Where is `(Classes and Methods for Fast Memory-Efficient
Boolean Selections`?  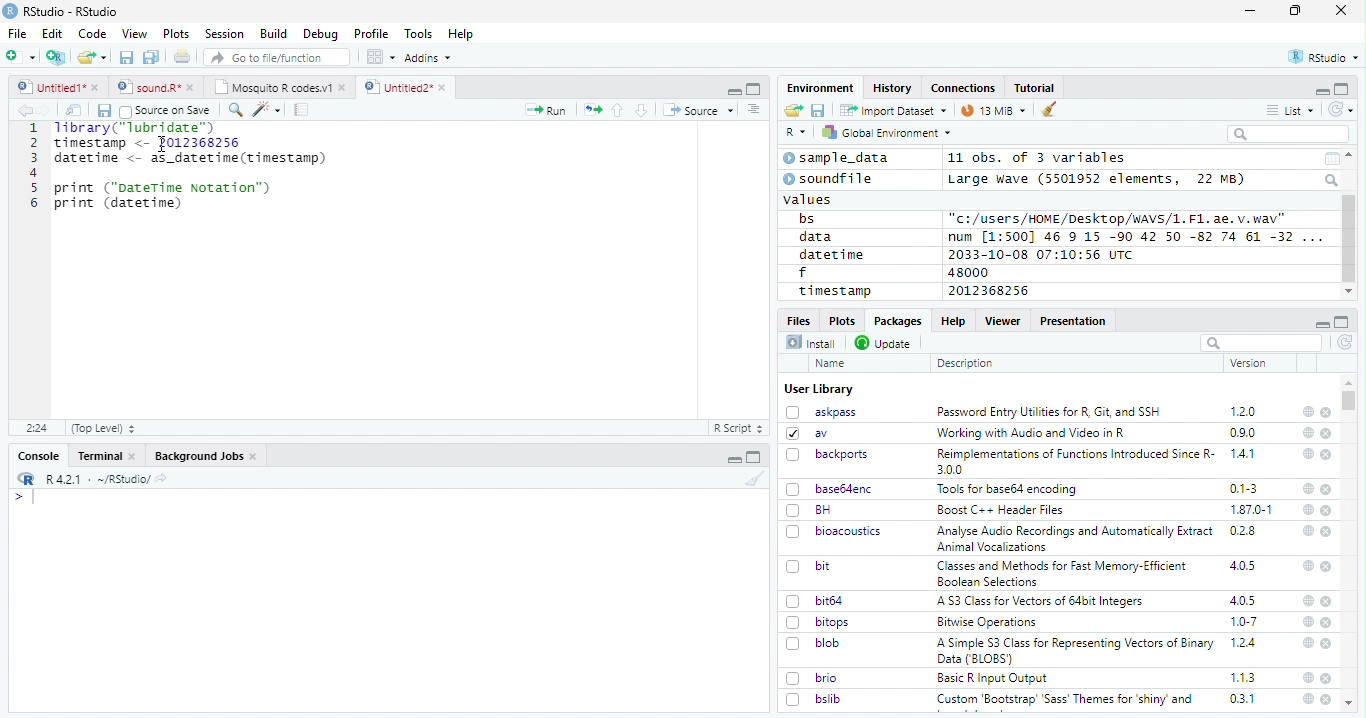 (Classes and Methods for Fast Memory-Efficient
Boolean Selections is located at coordinates (1064, 573).